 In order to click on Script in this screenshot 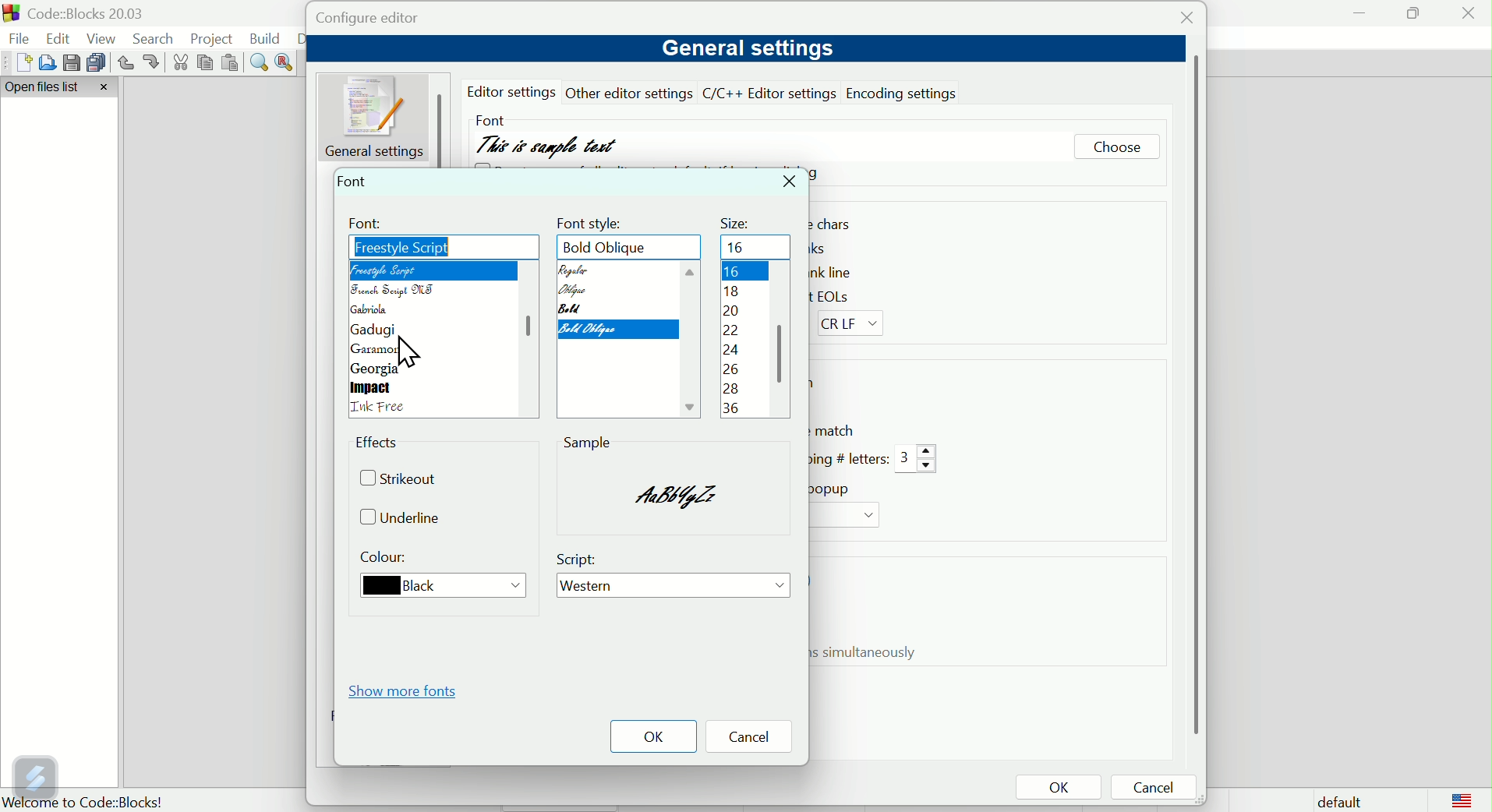, I will do `click(581, 560)`.